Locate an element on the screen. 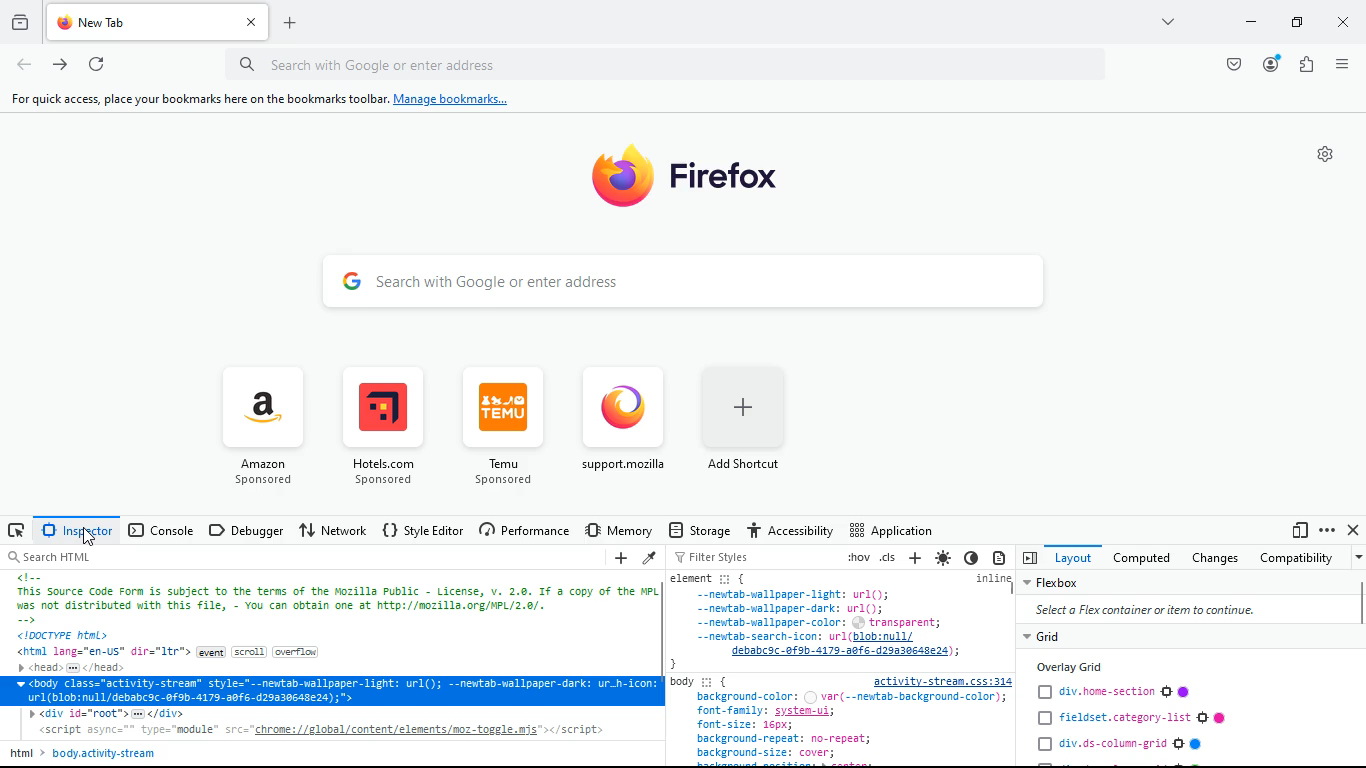  style editor is located at coordinates (425, 530).